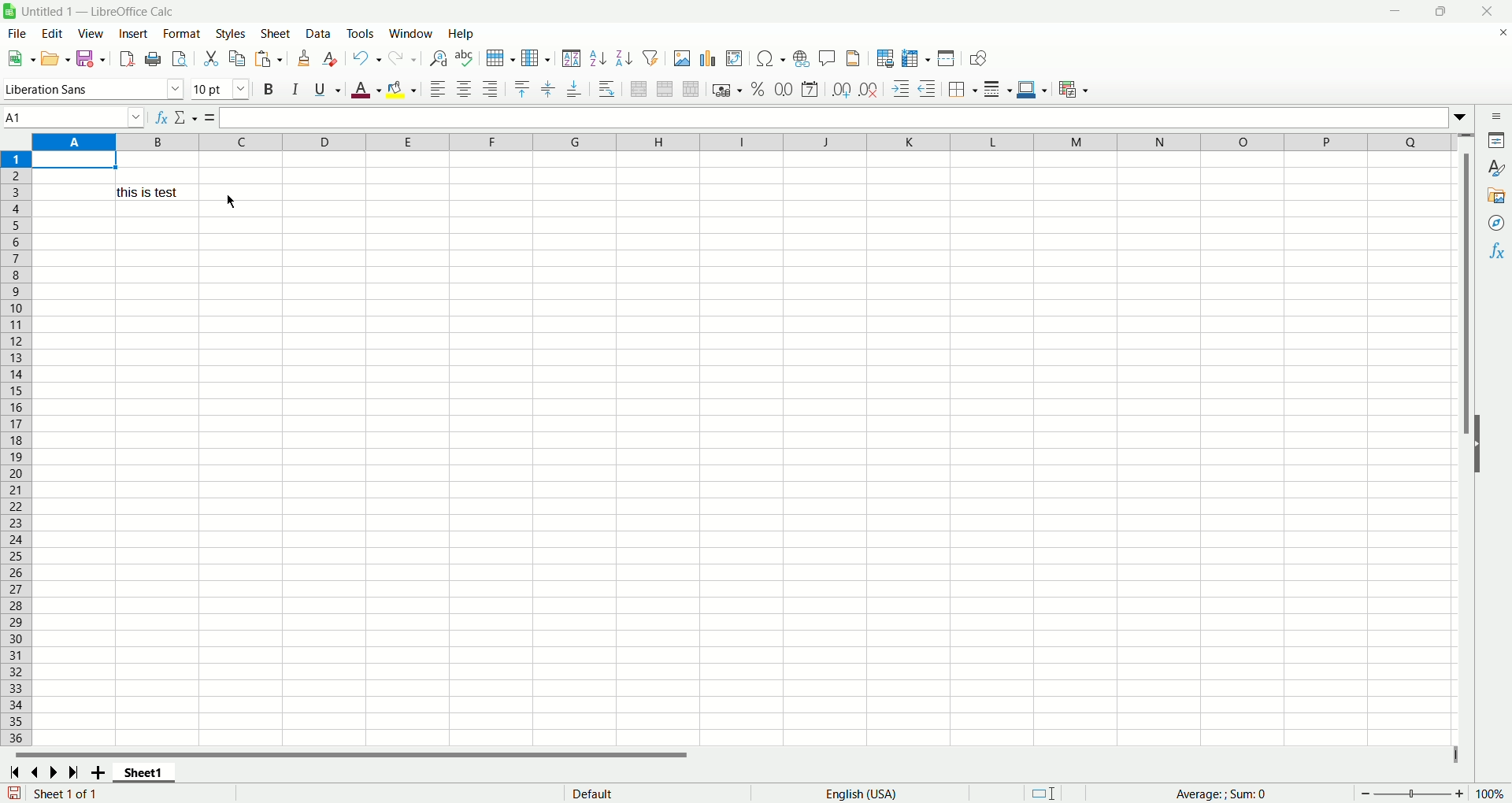 The width and height of the screenshot is (1512, 803). Describe the element at coordinates (91, 59) in the screenshot. I see `save` at that location.